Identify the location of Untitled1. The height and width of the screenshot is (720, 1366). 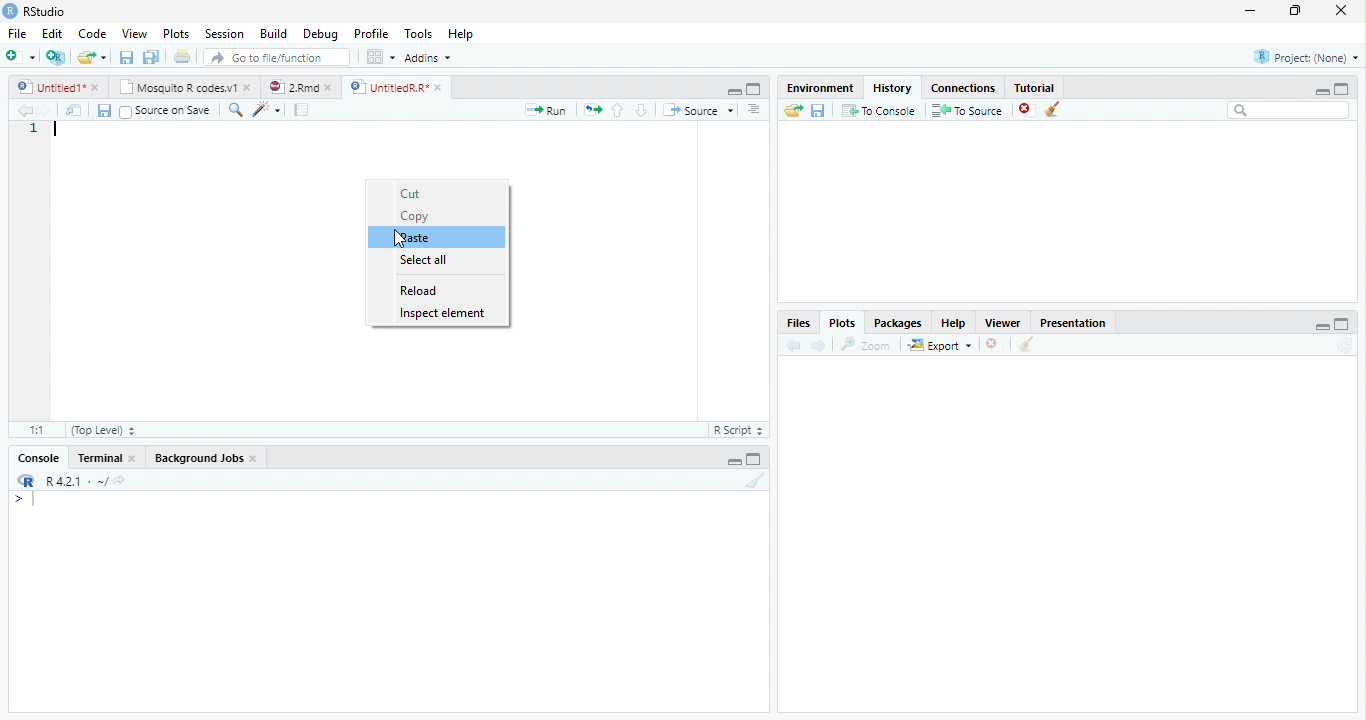
(46, 87).